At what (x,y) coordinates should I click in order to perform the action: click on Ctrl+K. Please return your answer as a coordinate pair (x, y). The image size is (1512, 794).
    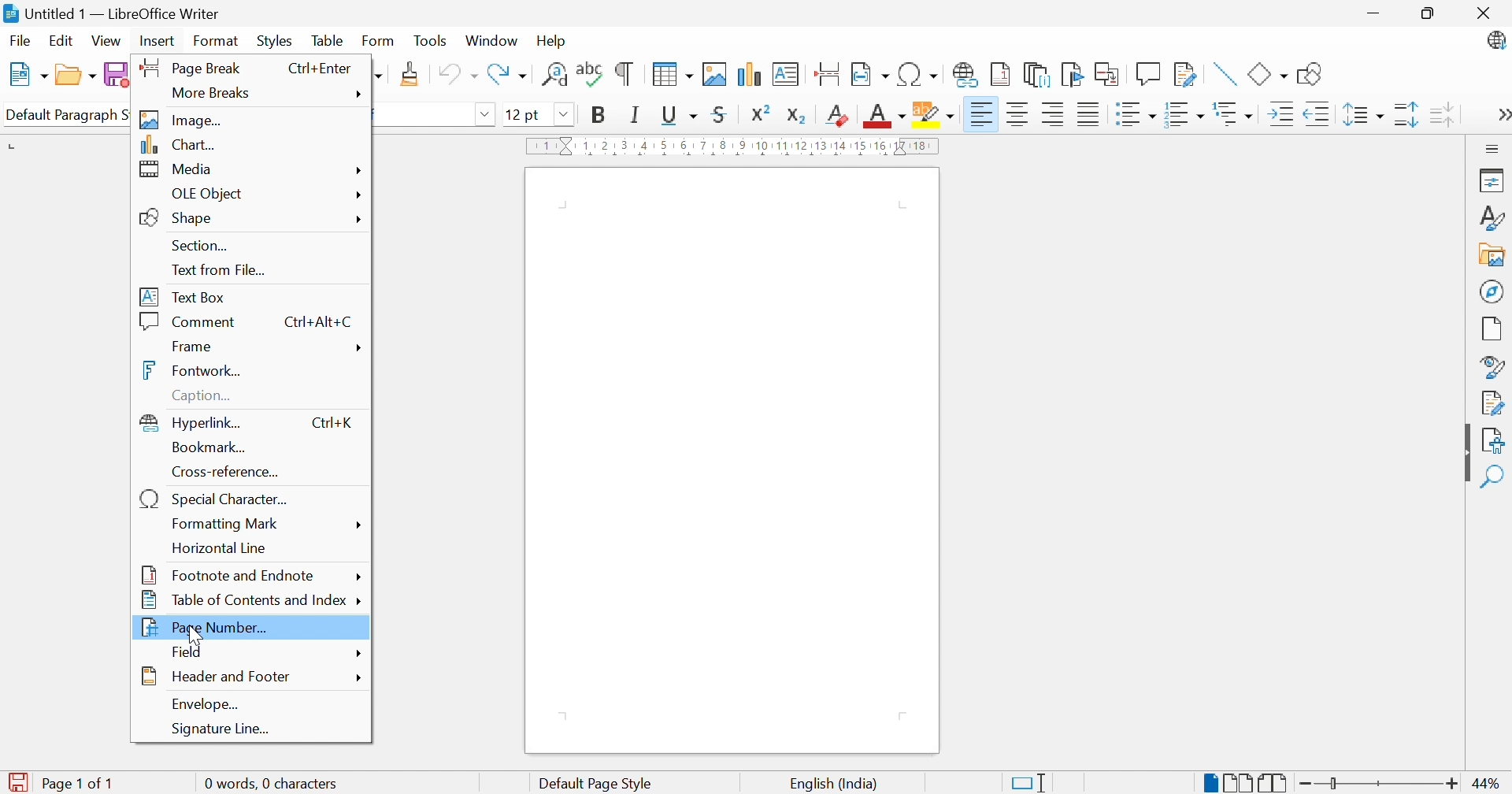
    Looking at the image, I should click on (335, 422).